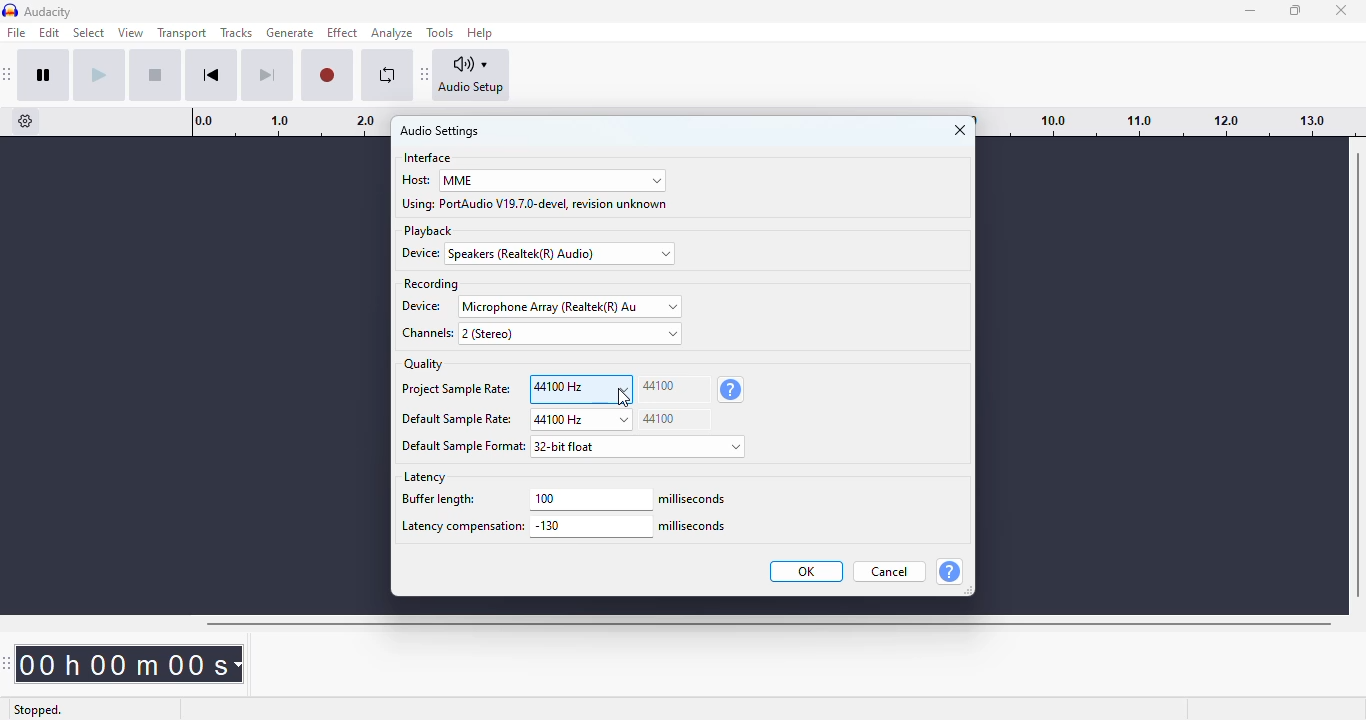 This screenshot has width=1366, height=720. I want to click on channels, so click(425, 334).